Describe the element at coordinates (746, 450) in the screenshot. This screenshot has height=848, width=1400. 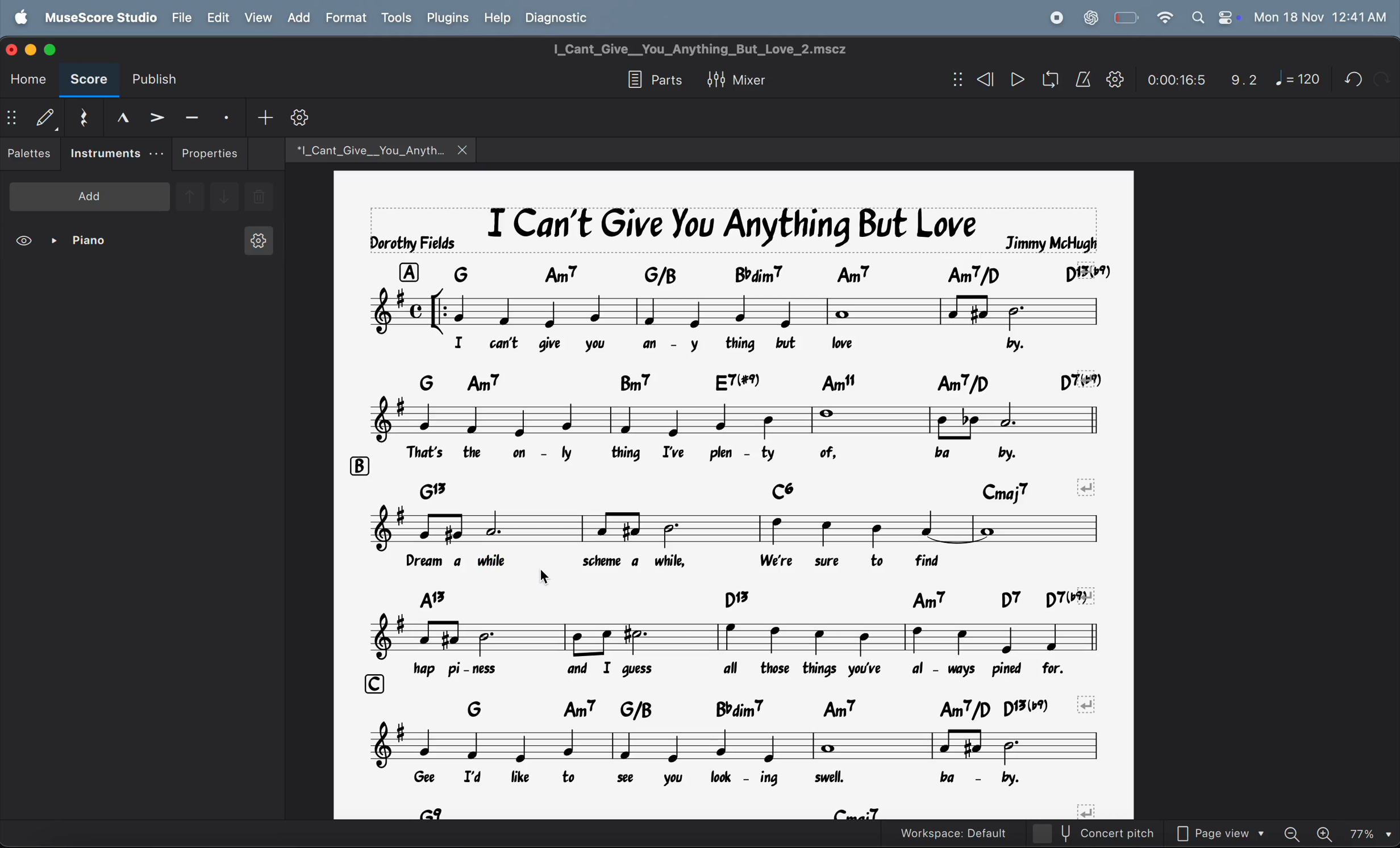
I see `lyrics` at that location.